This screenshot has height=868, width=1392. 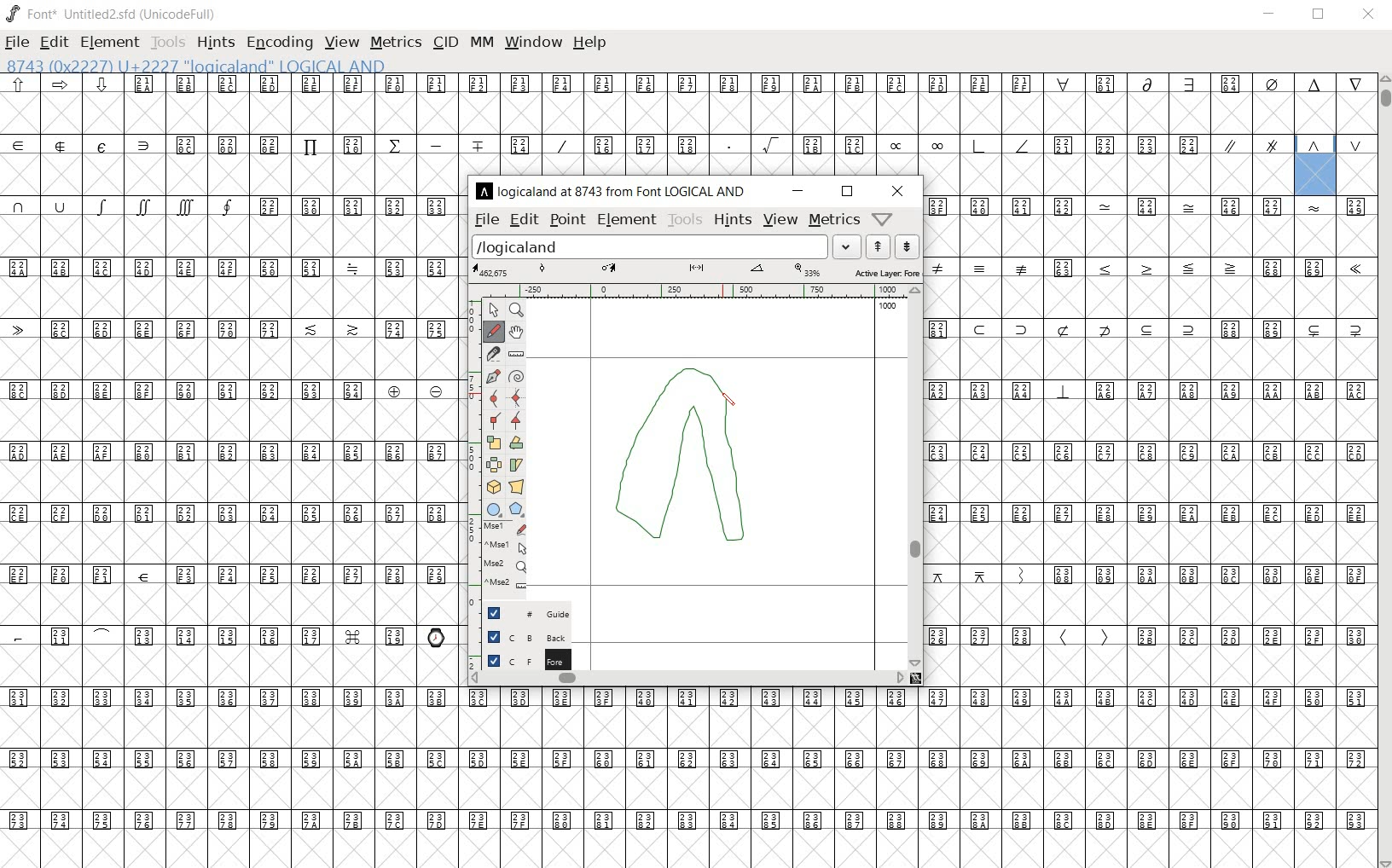 What do you see at coordinates (801, 190) in the screenshot?
I see `minimize` at bounding box center [801, 190].